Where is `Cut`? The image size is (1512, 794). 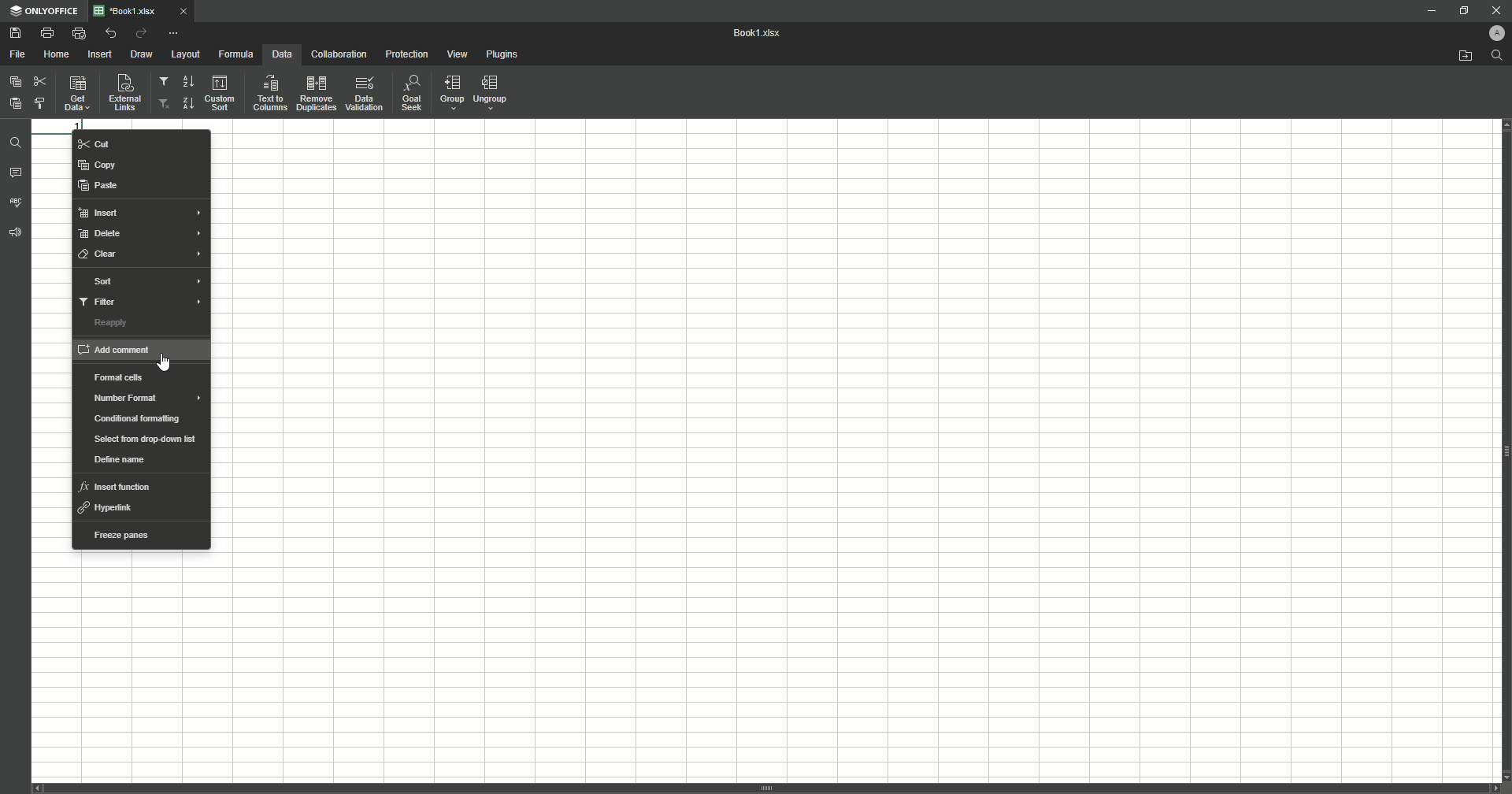 Cut is located at coordinates (102, 144).